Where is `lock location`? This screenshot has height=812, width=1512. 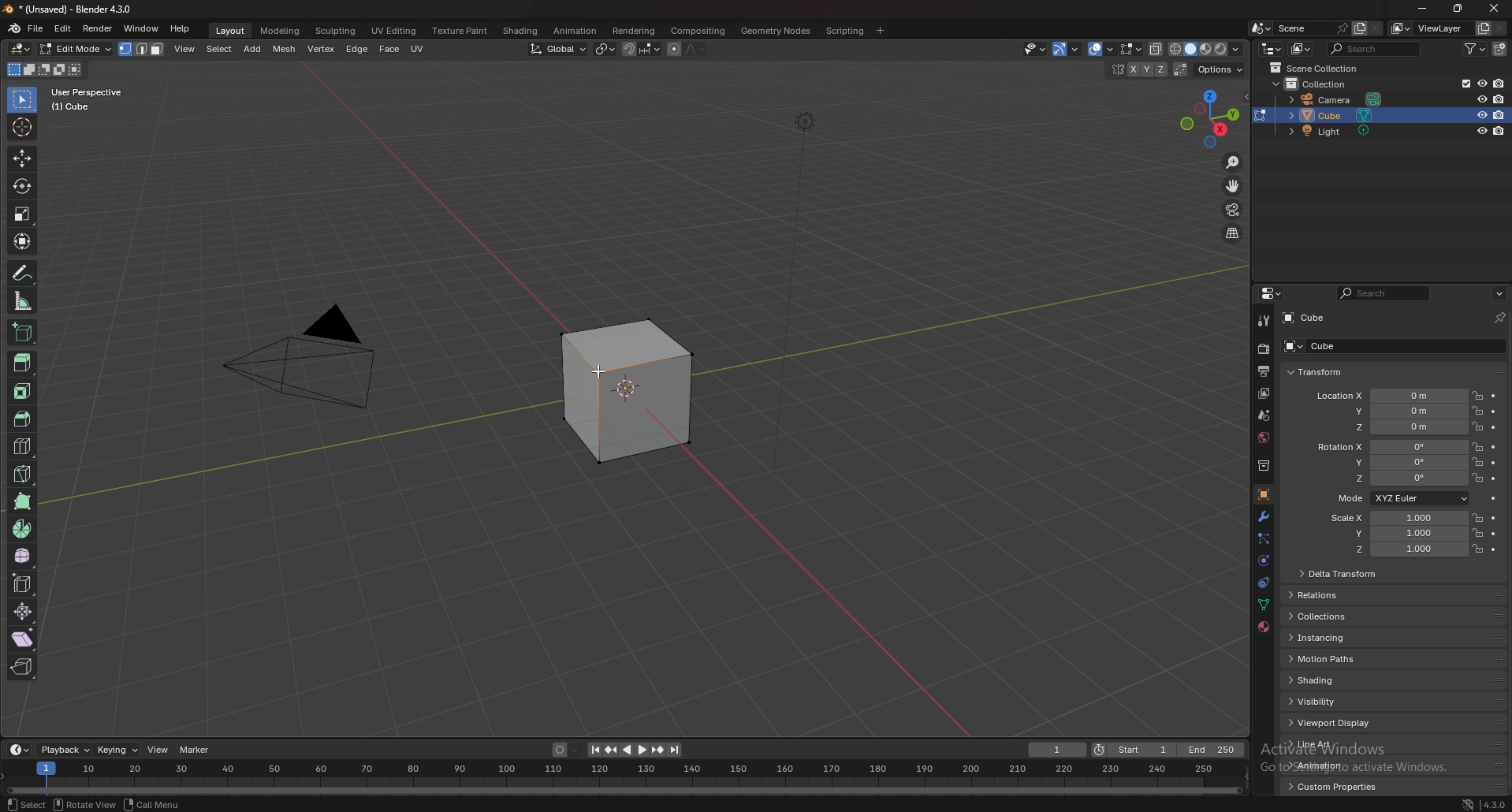
lock location is located at coordinates (1478, 532).